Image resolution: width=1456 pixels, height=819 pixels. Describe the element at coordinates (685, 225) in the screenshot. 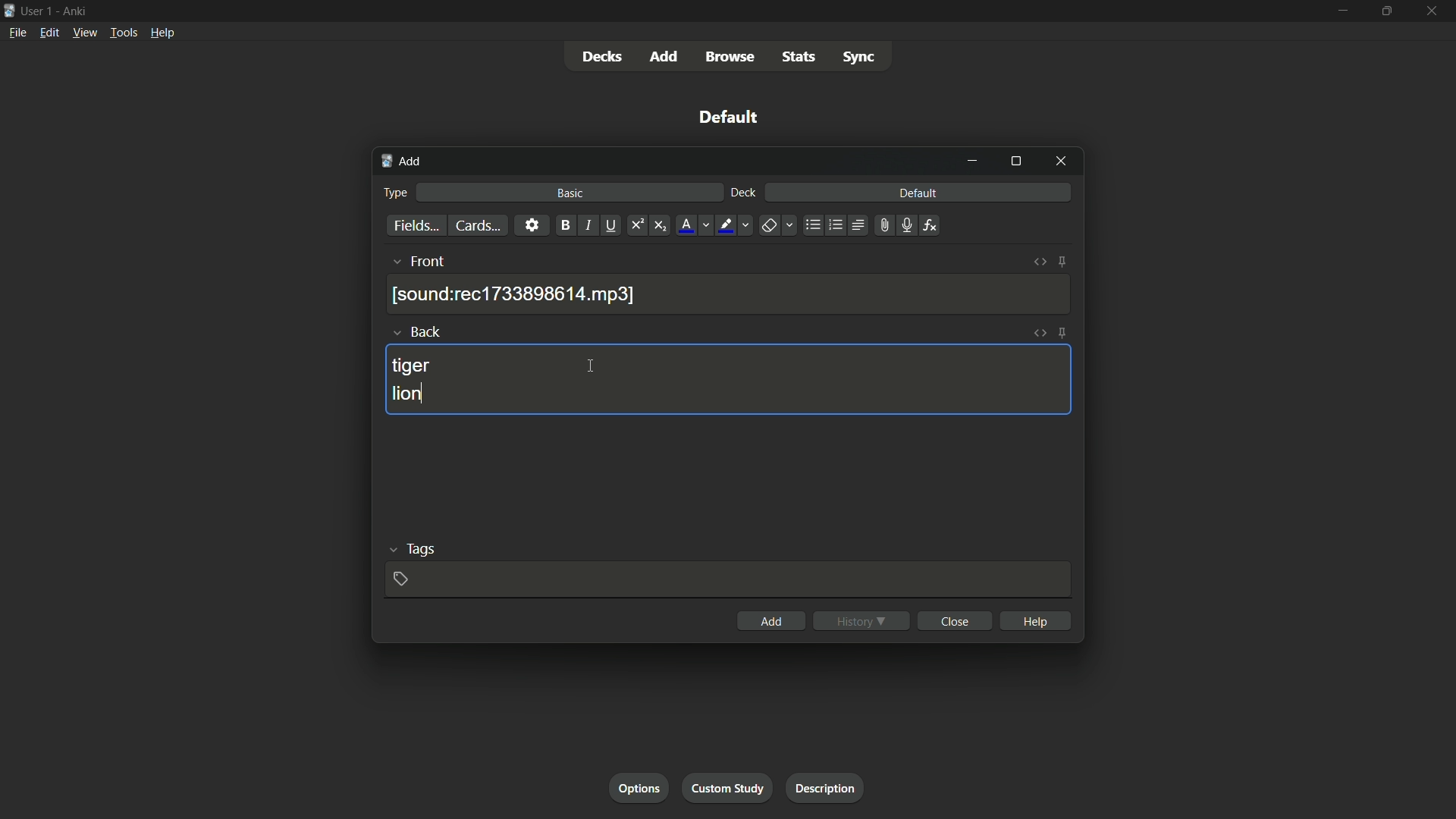

I see `font color` at that location.